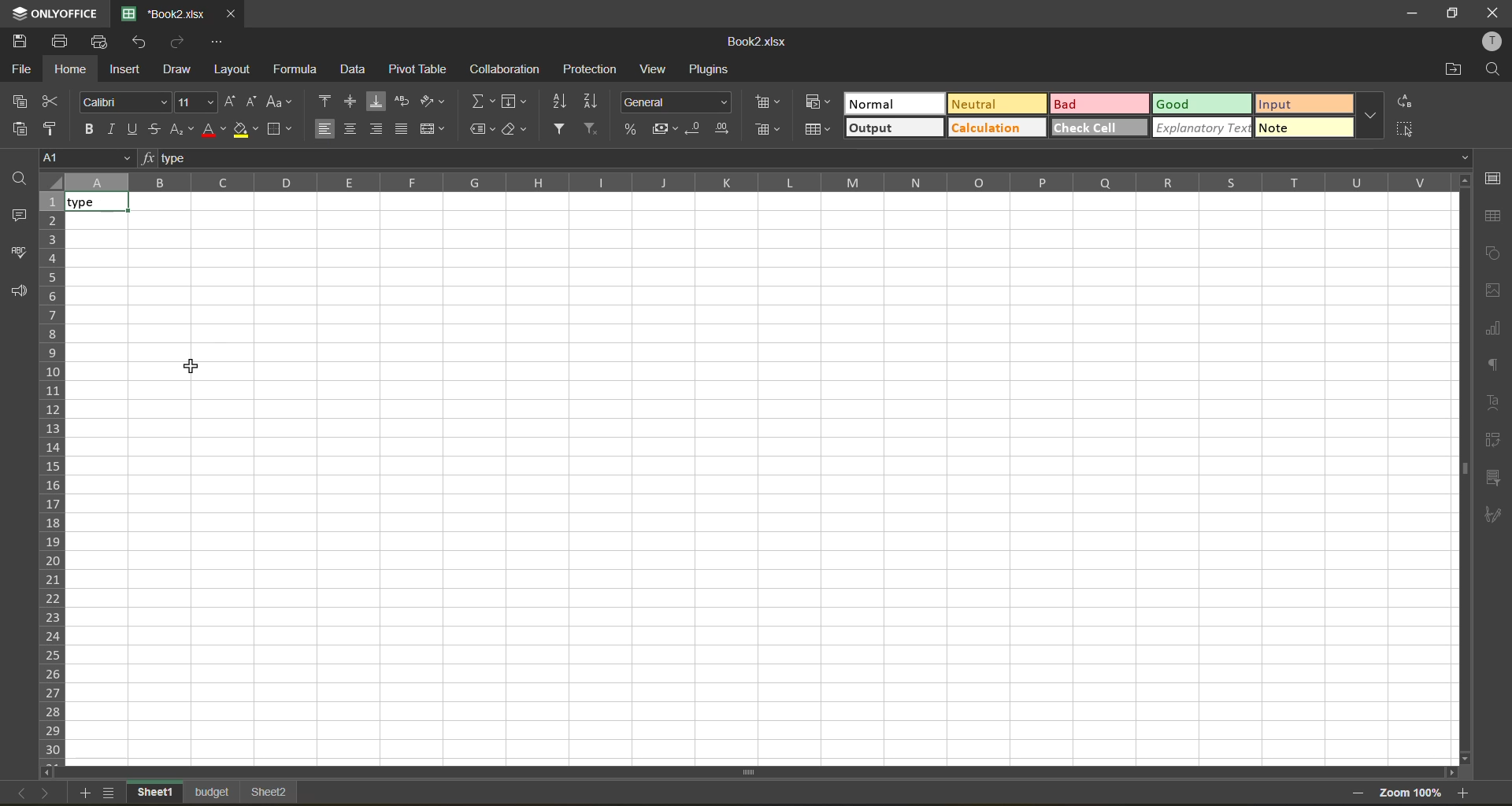 This screenshot has height=806, width=1512. What do you see at coordinates (354, 69) in the screenshot?
I see `data` at bounding box center [354, 69].